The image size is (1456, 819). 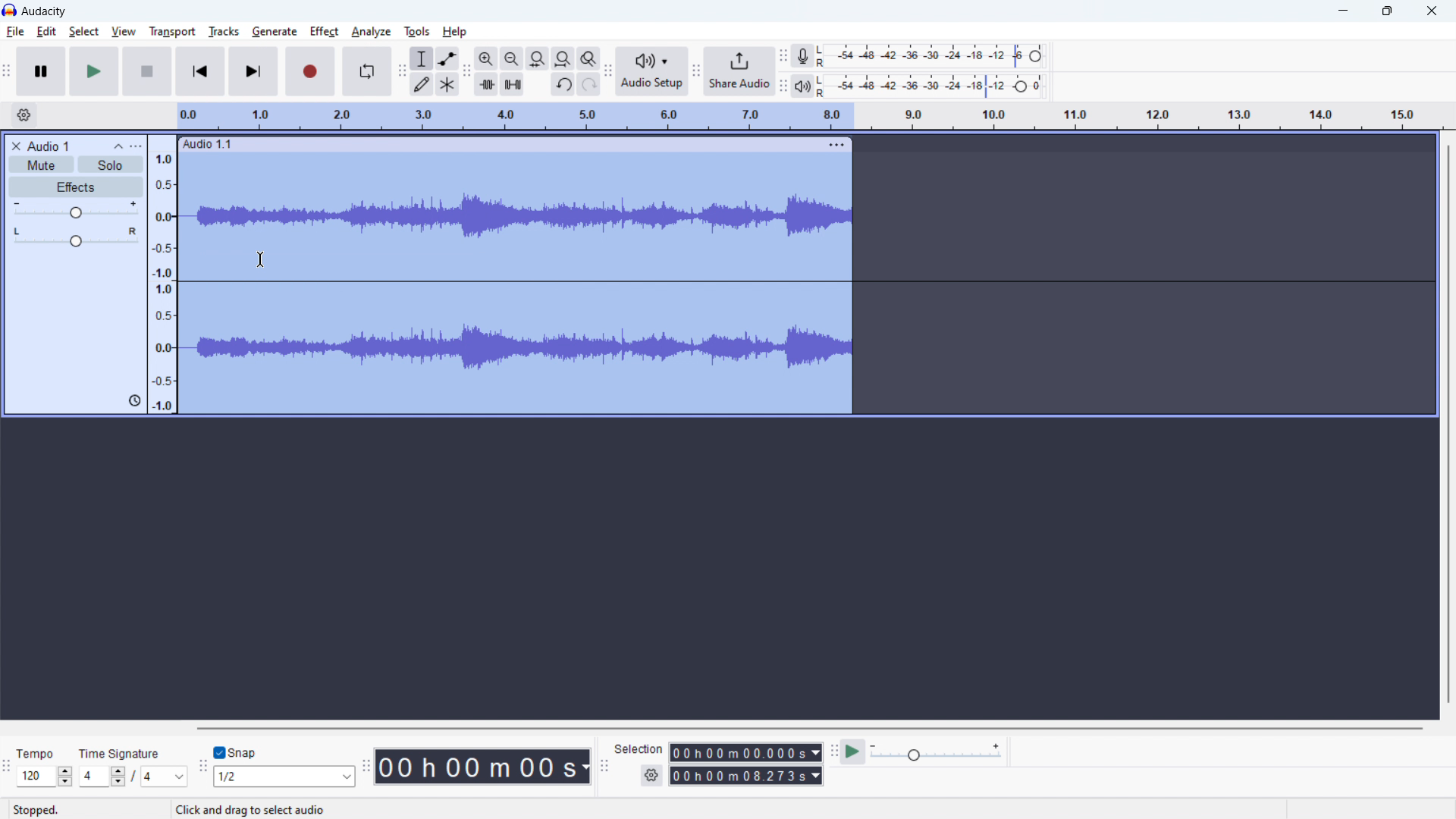 I want to click on edit, so click(x=47, y=32).